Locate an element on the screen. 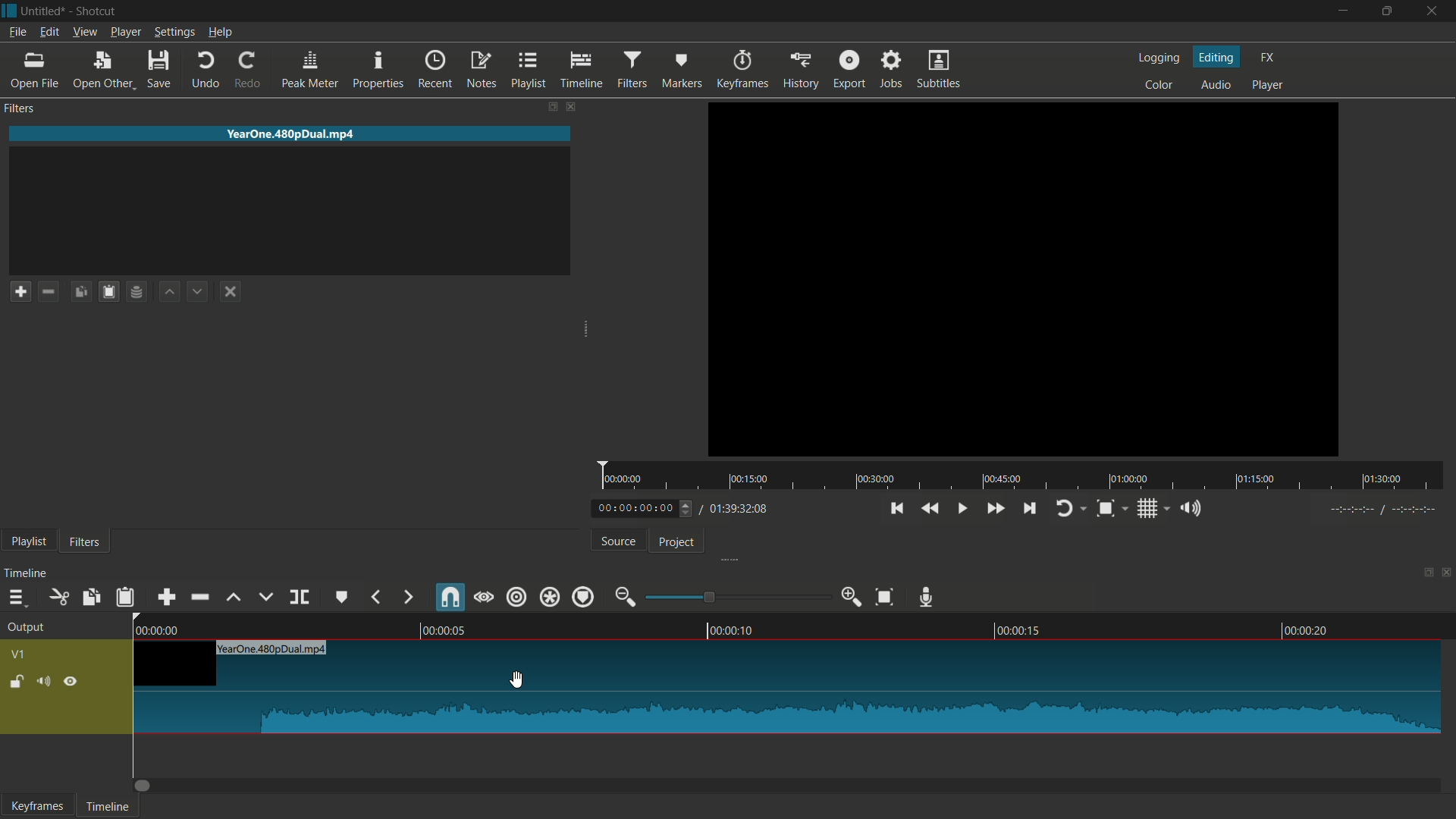 The width and height of the screenshot is (1456, 819). source is located at coordinates (617, 543).